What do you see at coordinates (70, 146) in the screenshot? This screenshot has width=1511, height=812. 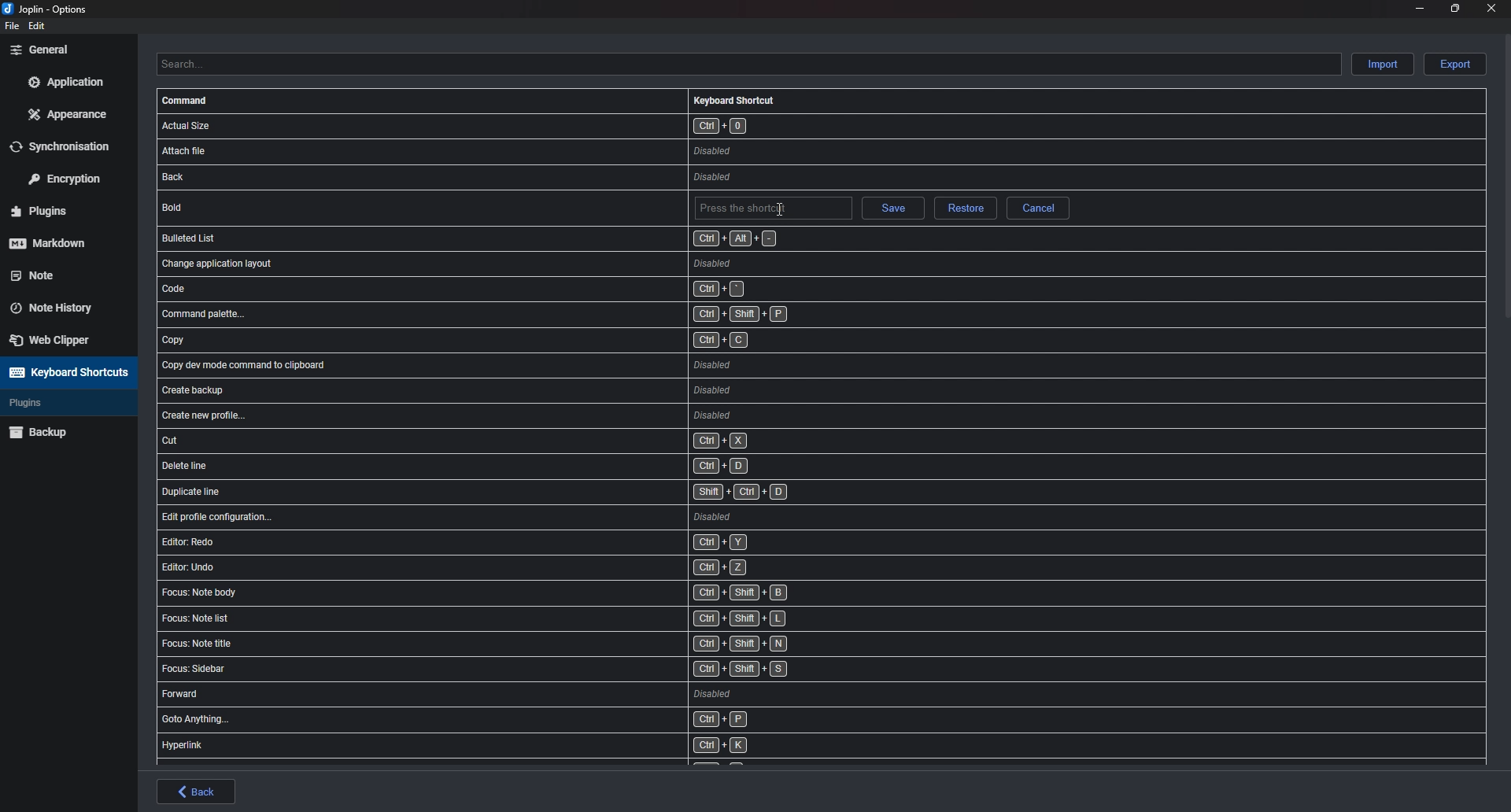 I see `Synchronization` at bounding box center [70, 146].